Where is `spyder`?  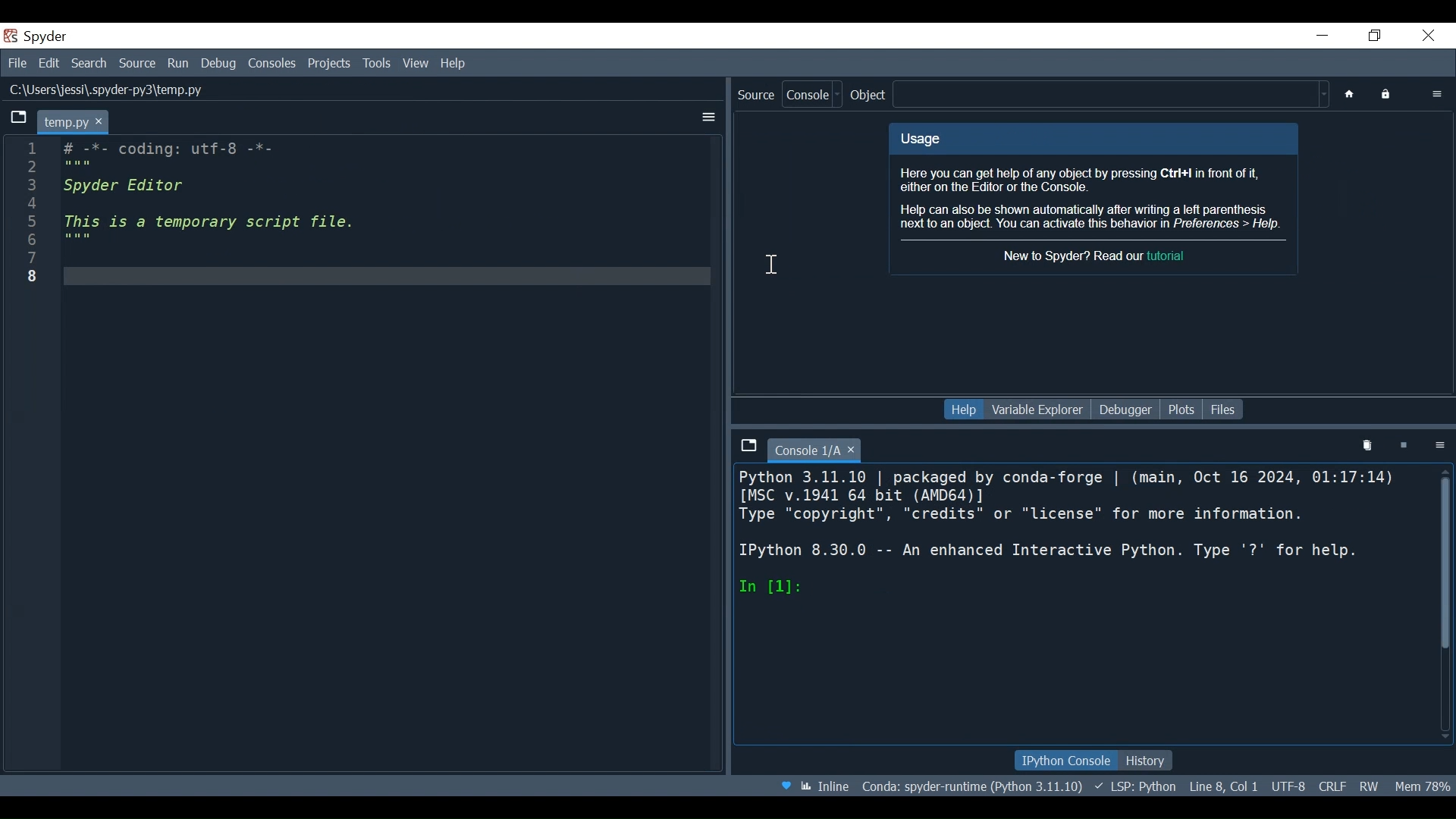
spyder is located at coordinates (61, 39).